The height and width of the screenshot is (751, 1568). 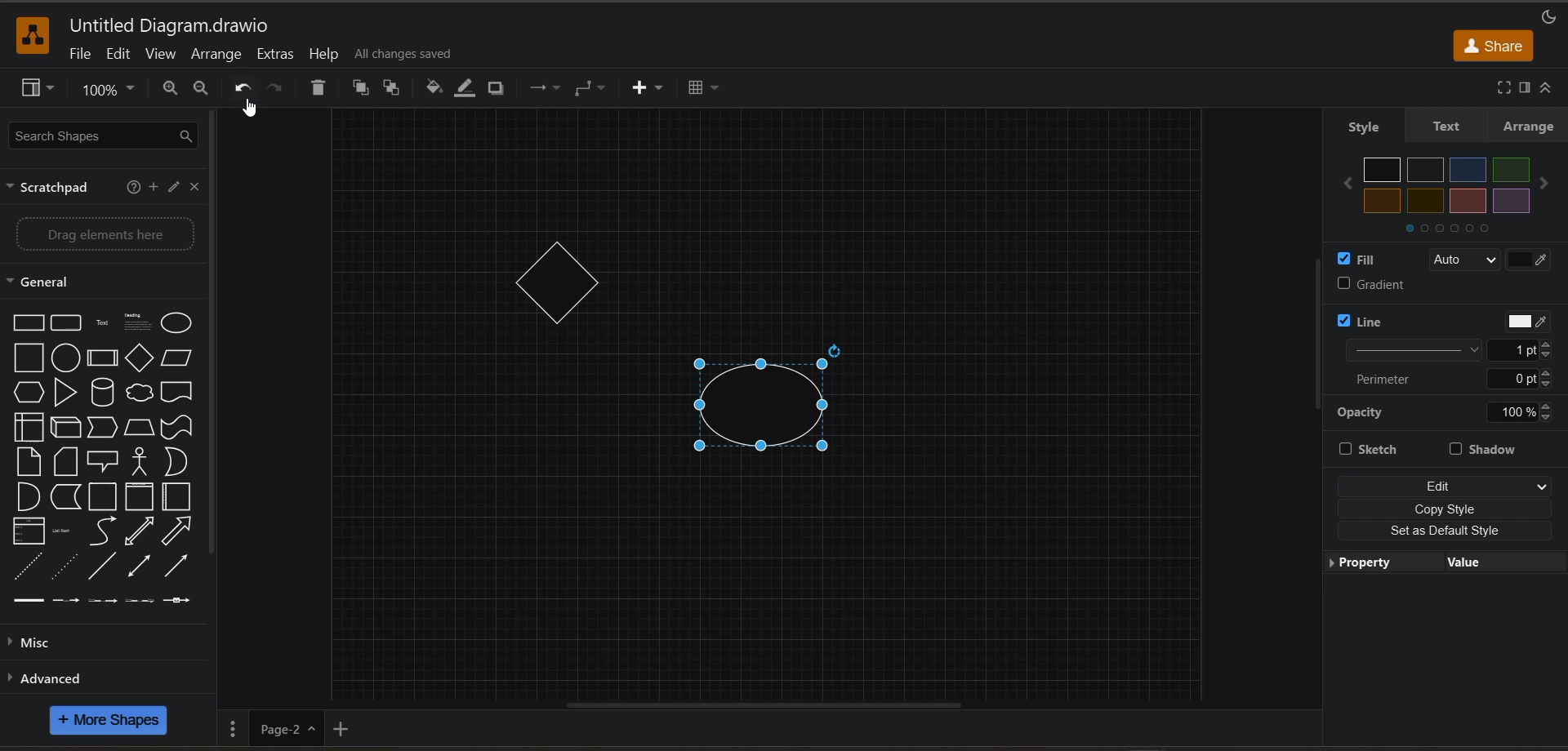 I want to click on Actor, so click(x=138, y=463).